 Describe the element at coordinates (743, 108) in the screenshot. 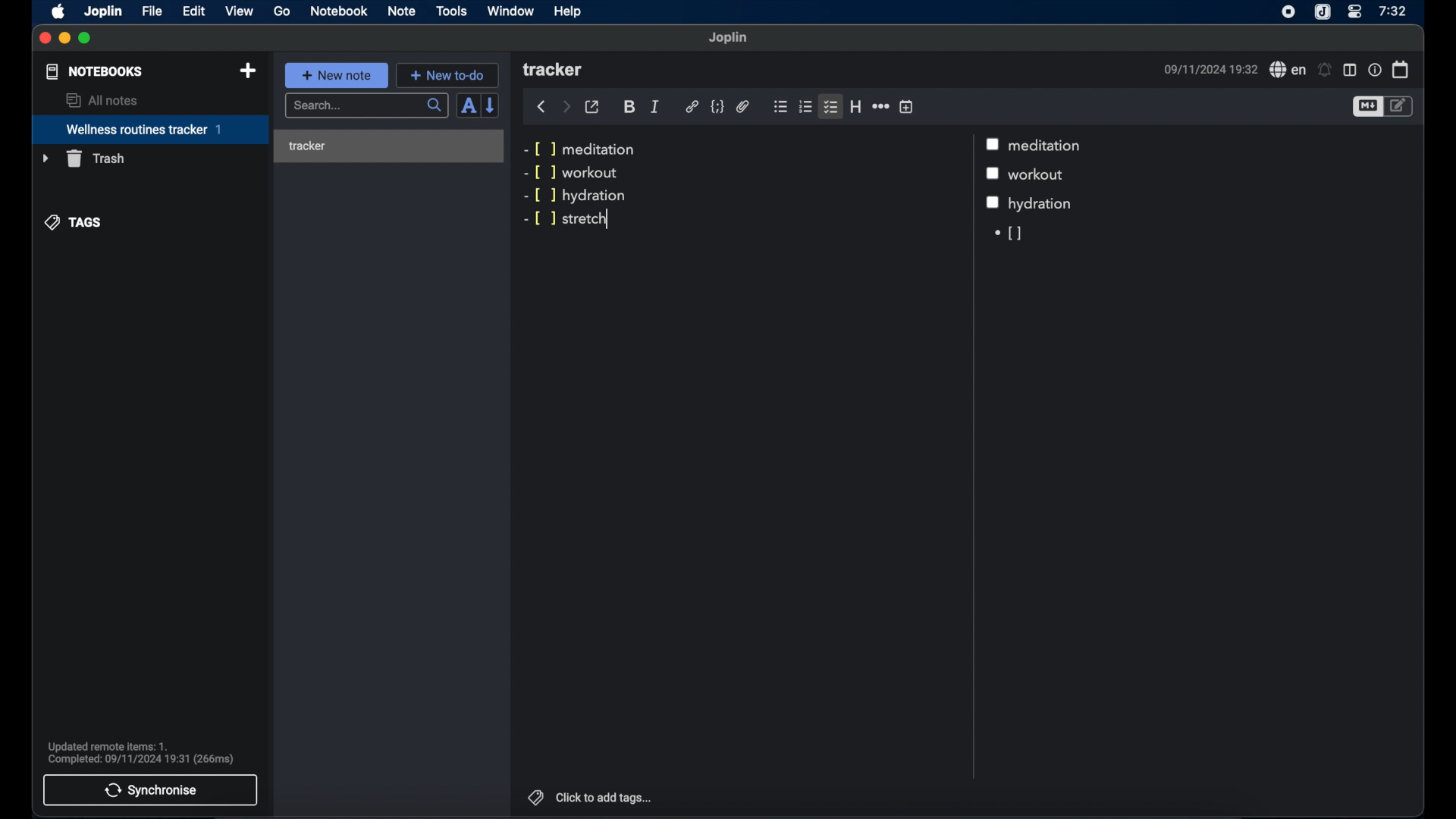

I see `attach file` at that location.